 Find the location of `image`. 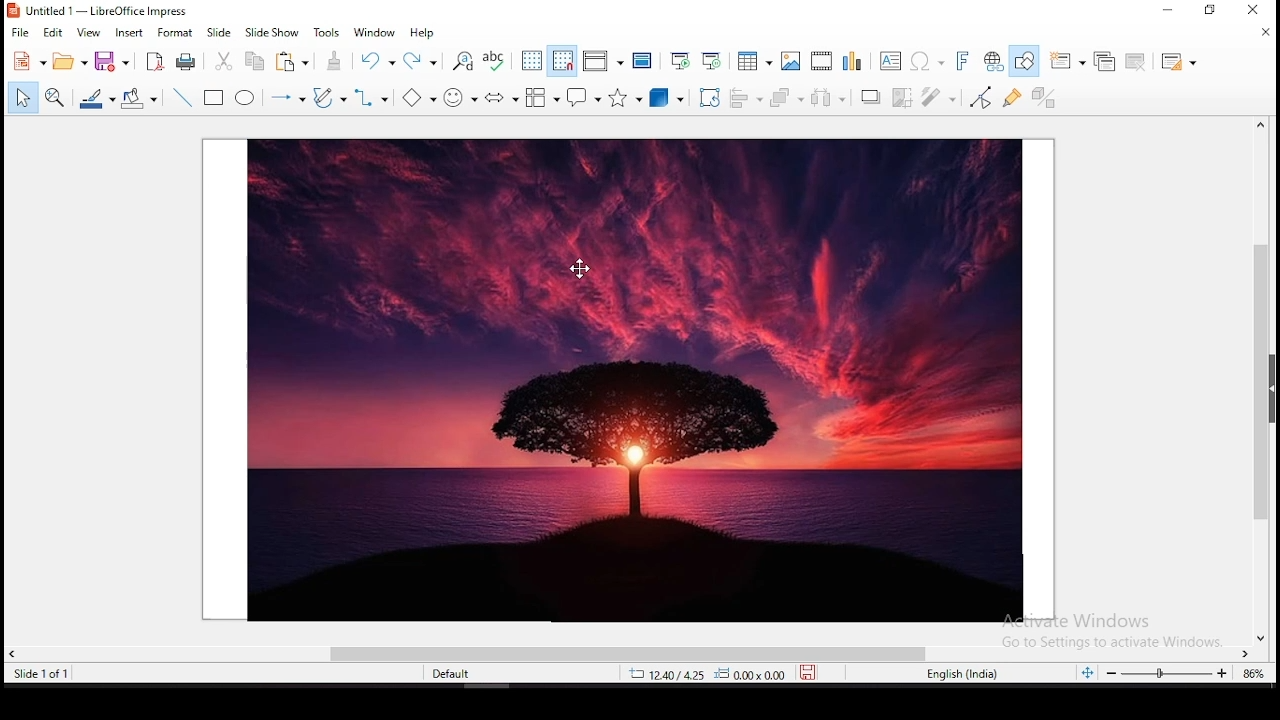

image is located at coordinates (629, 379).